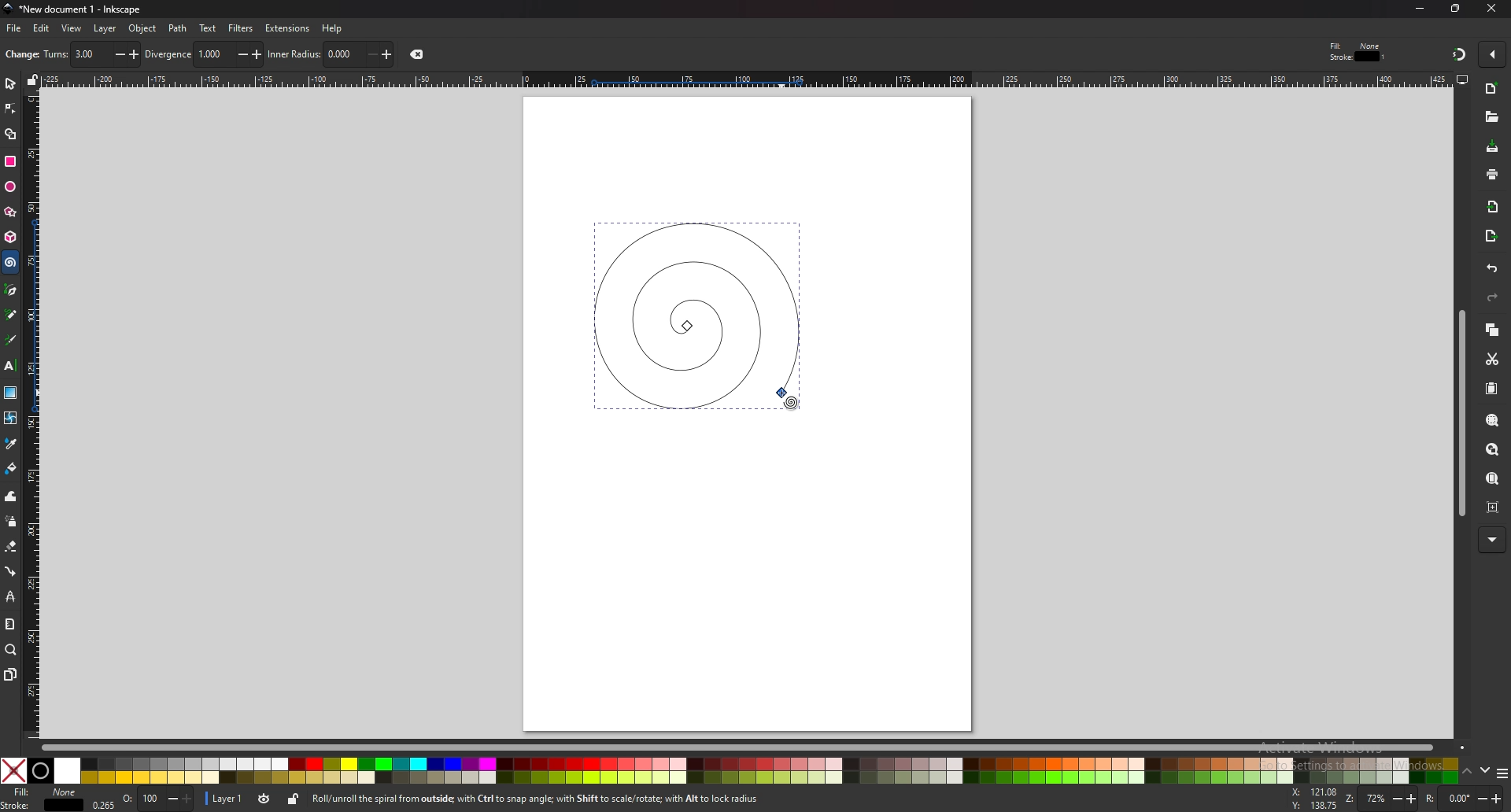 This screenshot has height=812, width=1511. Describe the element at coordinates (72, 29) in the screenshot. I see `view` at that location.